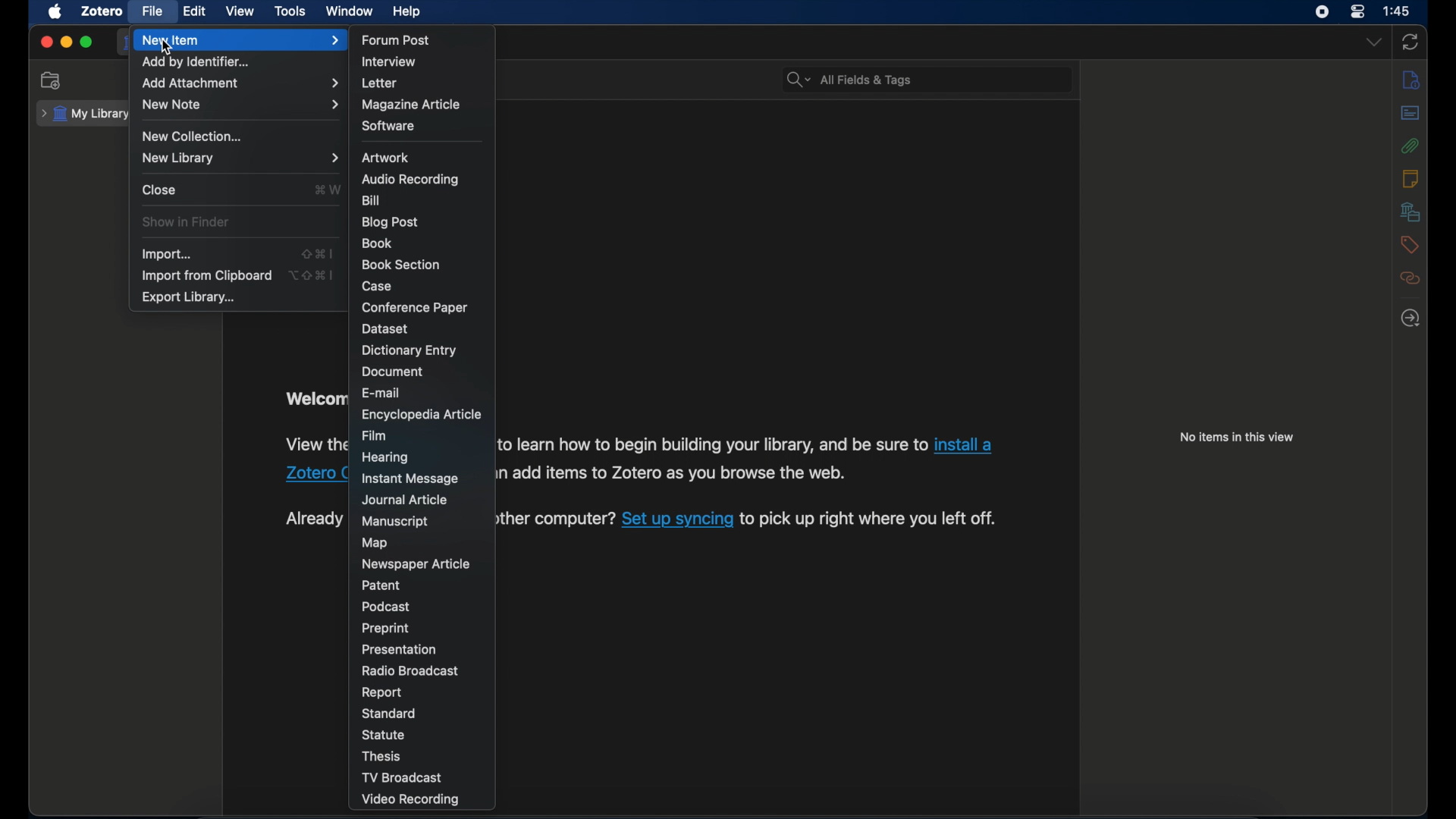 Image resolution: width=1456 pixels, height=819 pixels. Describe the element at coordinates (168, 48) in the screenshot. I see `cursor` at that location.